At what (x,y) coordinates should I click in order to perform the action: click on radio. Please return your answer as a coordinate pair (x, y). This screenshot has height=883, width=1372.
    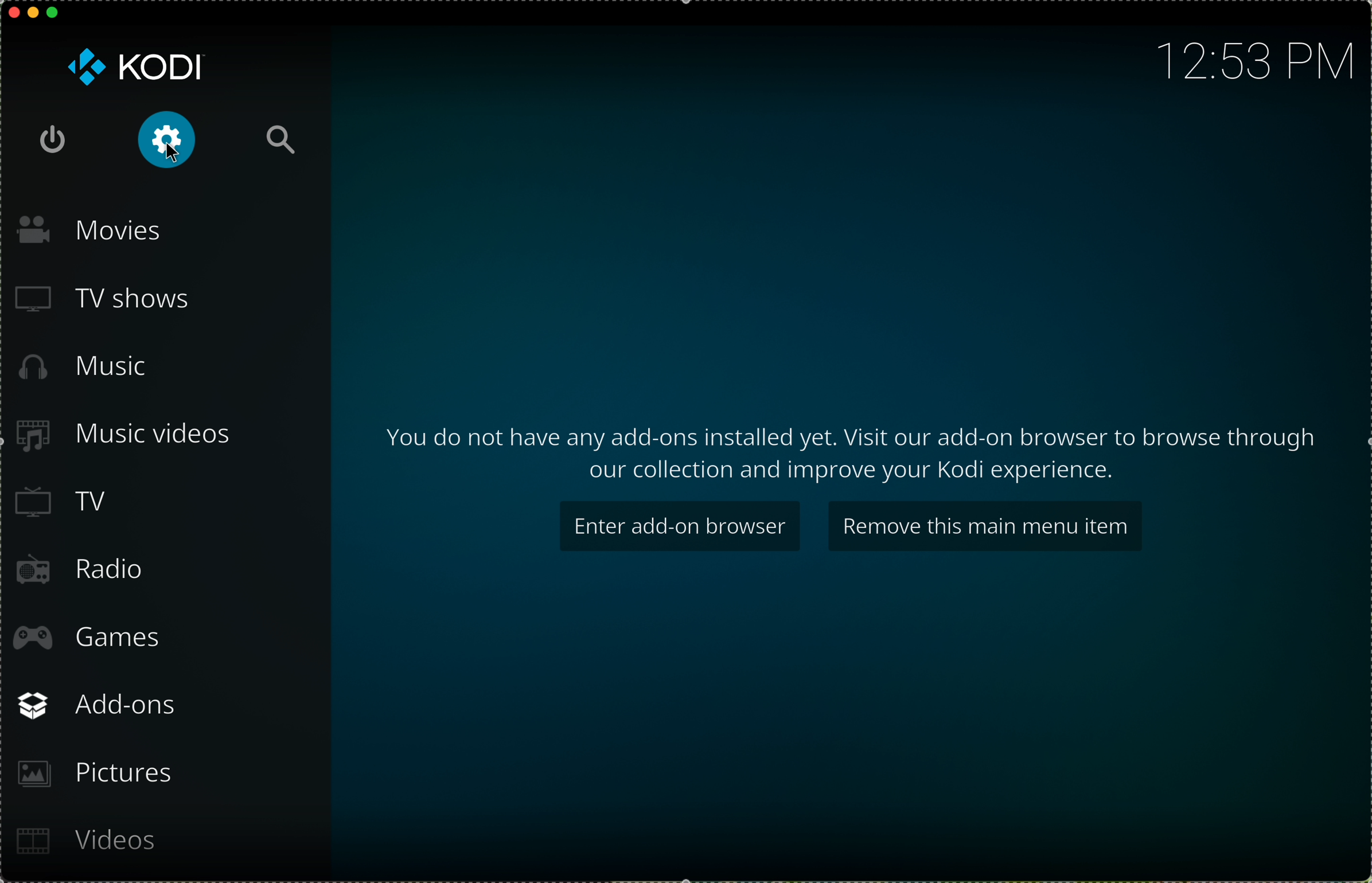
    Looking at the image, I should click on (85, 572).